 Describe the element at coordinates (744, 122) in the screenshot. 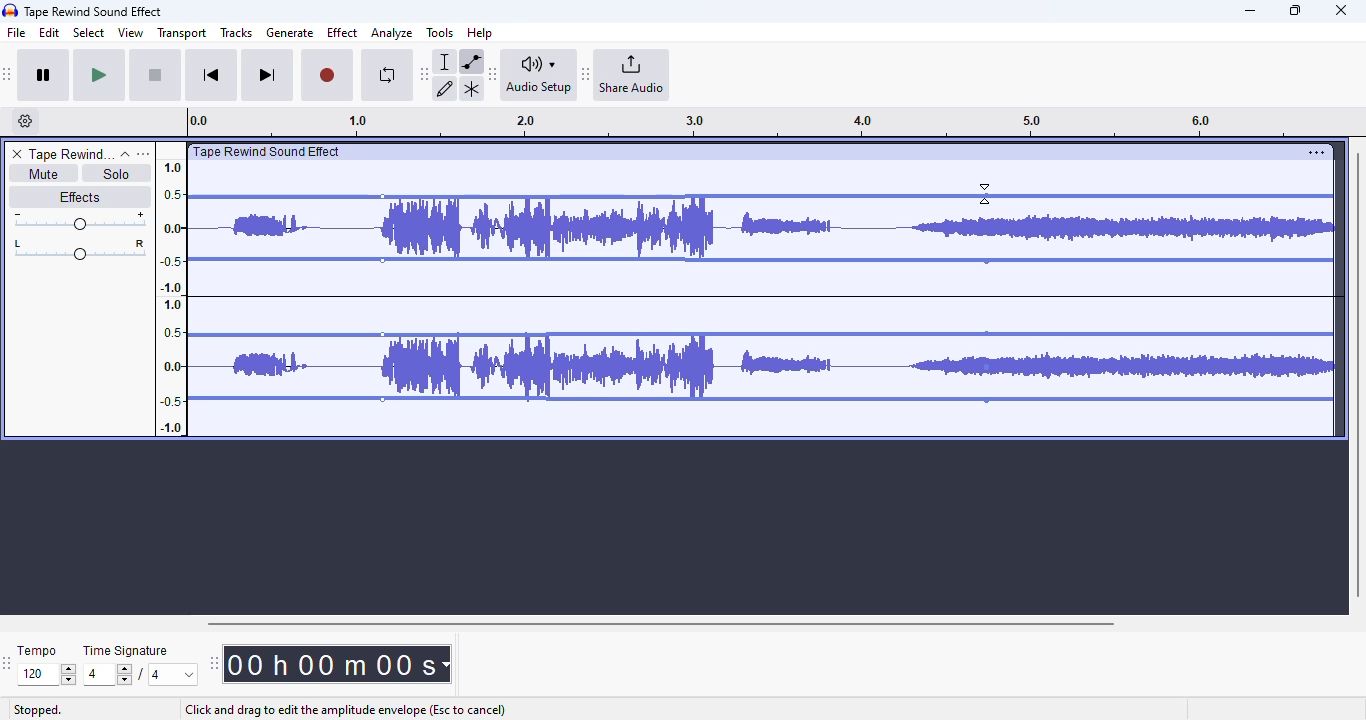

I see `Track timeline` at that location.